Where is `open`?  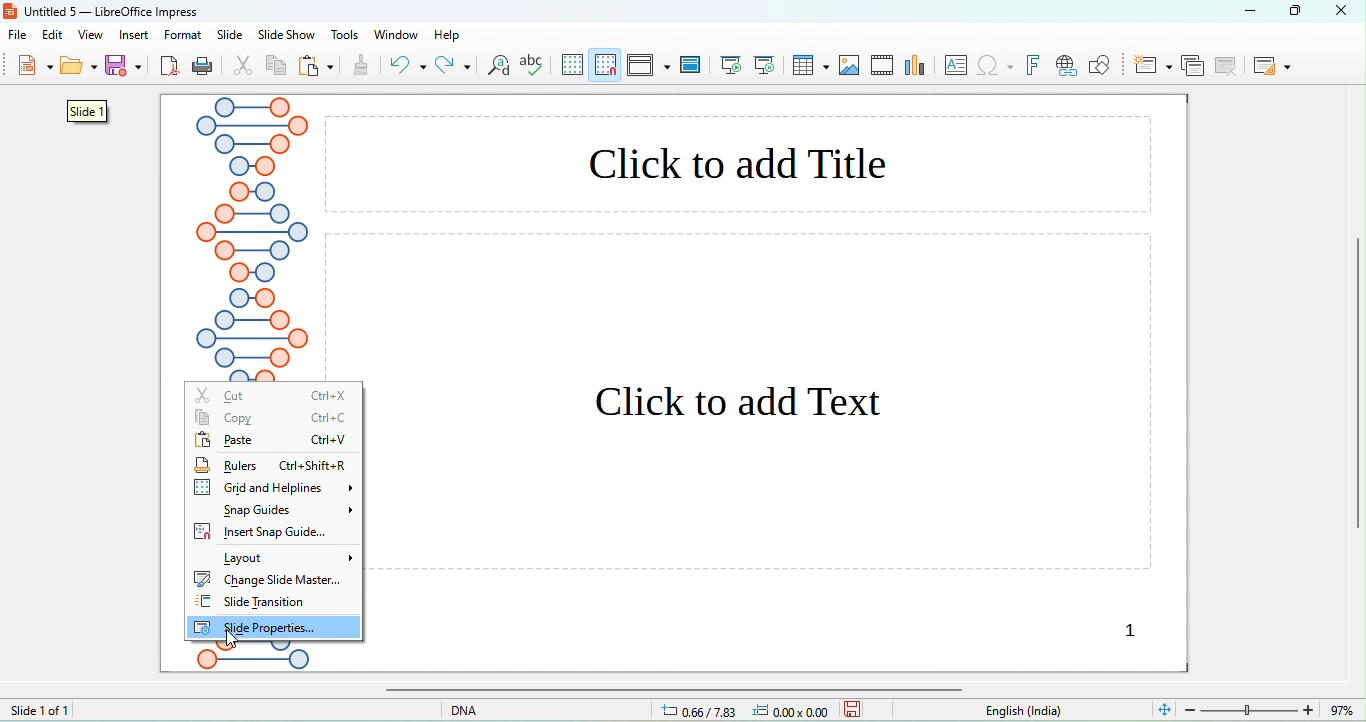 open is located at coordinates (79, 69).